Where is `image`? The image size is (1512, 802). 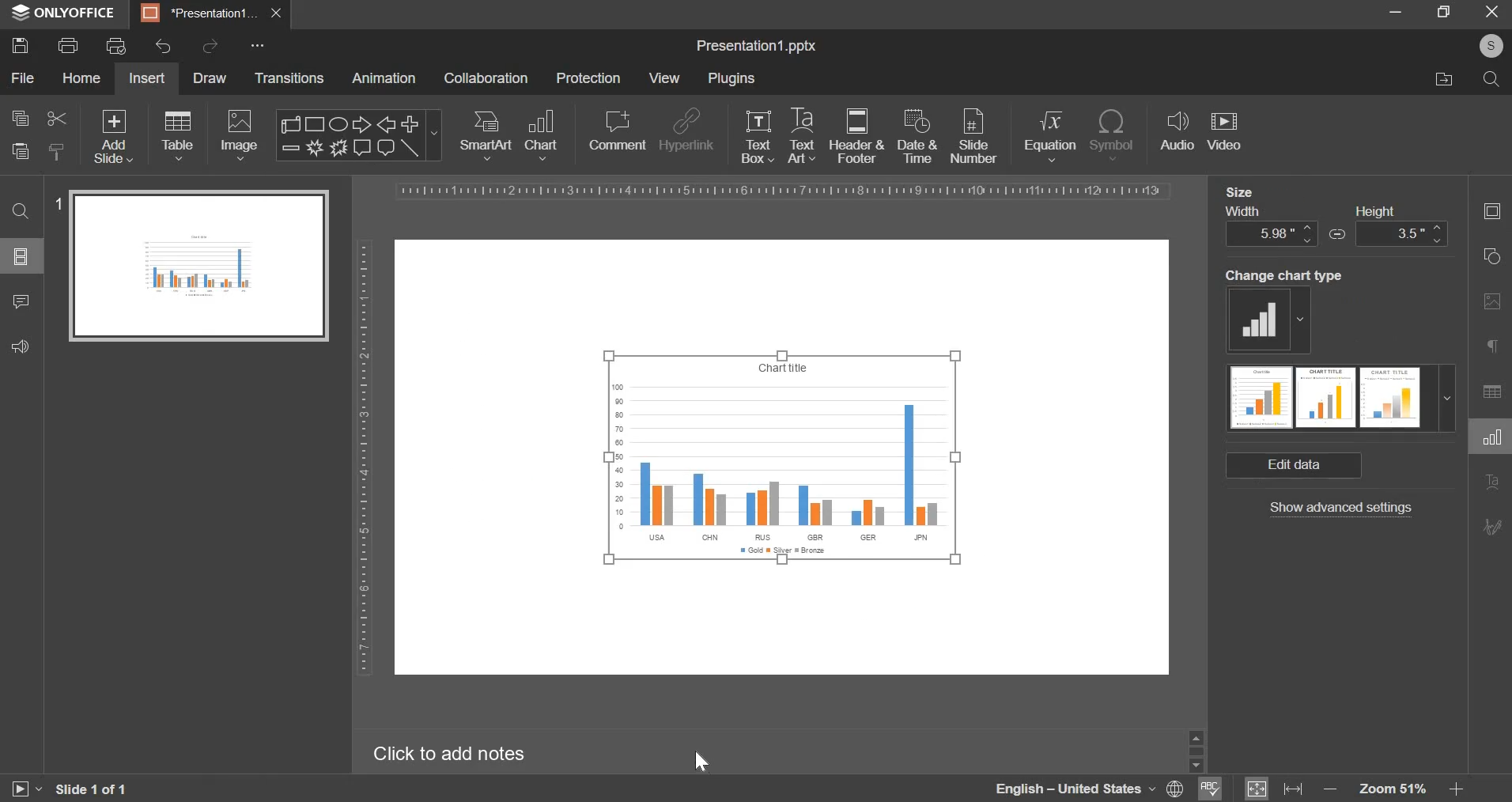 image is located at coordinates (240, 134).